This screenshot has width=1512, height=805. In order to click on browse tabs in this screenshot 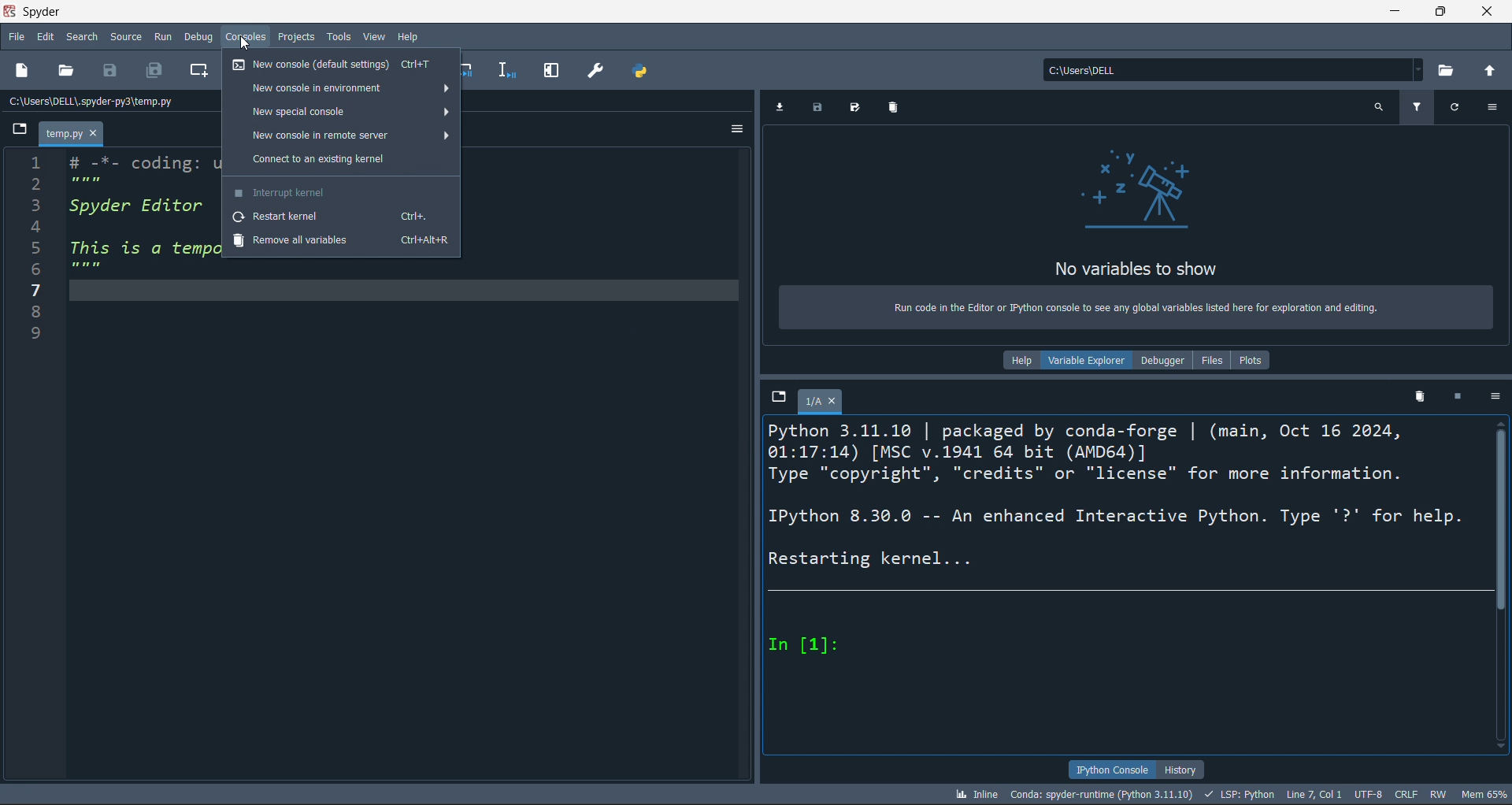, I will do `click(15, 132)`.